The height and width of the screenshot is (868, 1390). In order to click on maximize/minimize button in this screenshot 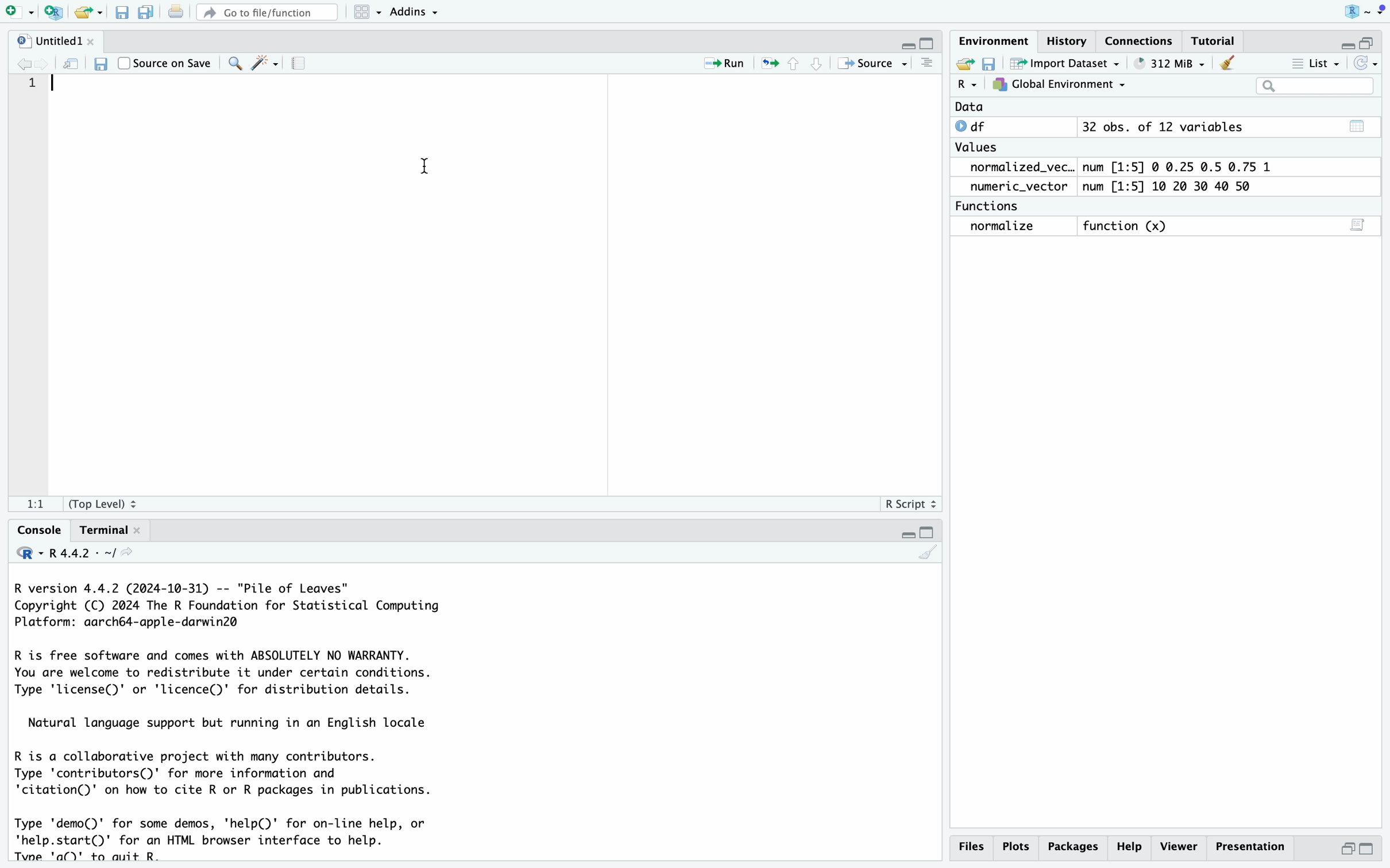, I will do `click(1358, 848)`.